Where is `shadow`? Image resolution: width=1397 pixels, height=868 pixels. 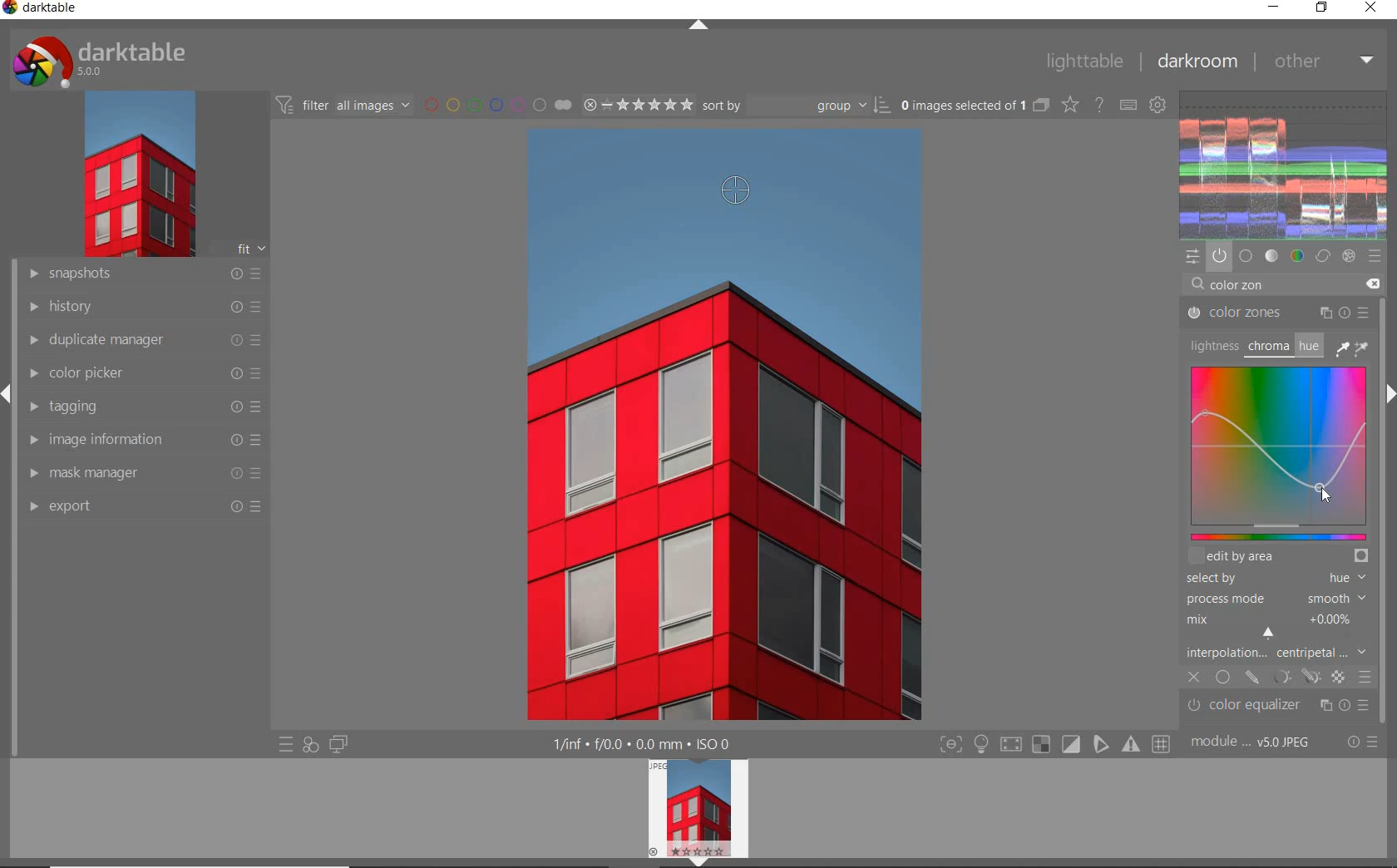 shadow is located at coordinates (1009, 745).